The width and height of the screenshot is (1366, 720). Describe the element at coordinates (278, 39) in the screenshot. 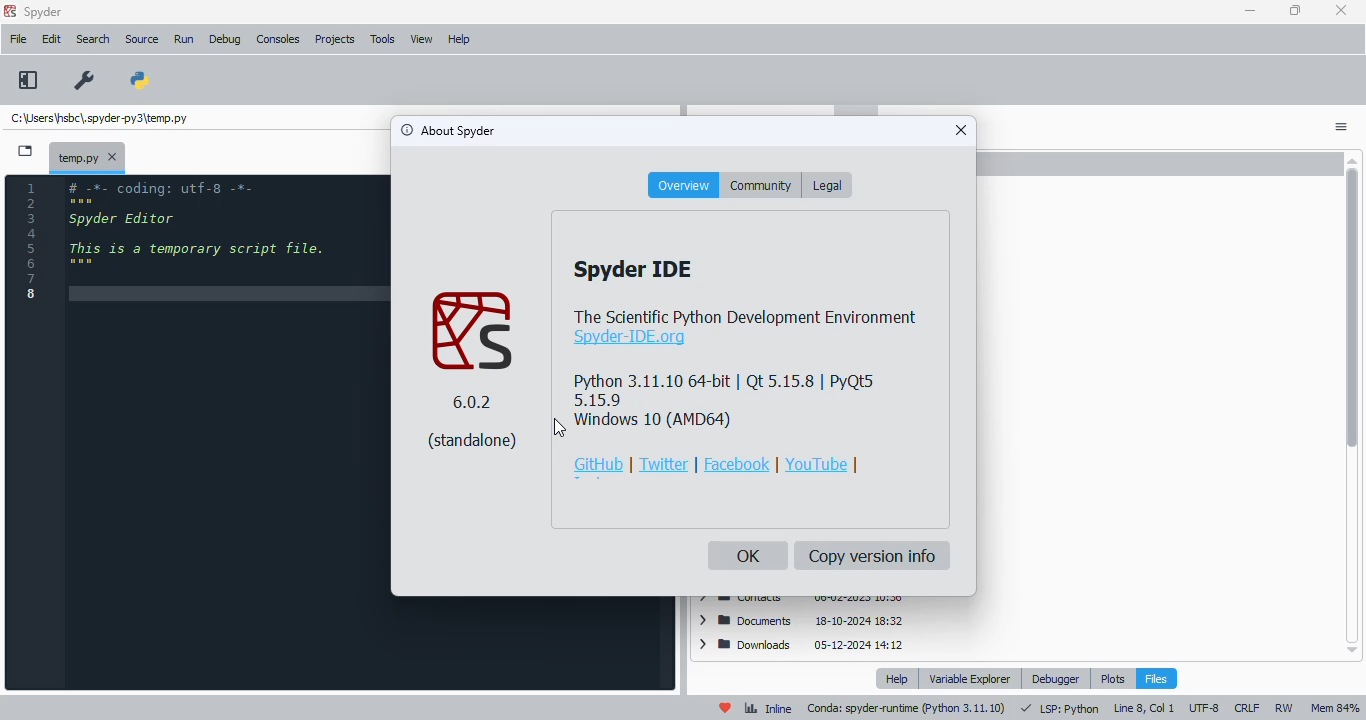

I see `consoles` at that location.